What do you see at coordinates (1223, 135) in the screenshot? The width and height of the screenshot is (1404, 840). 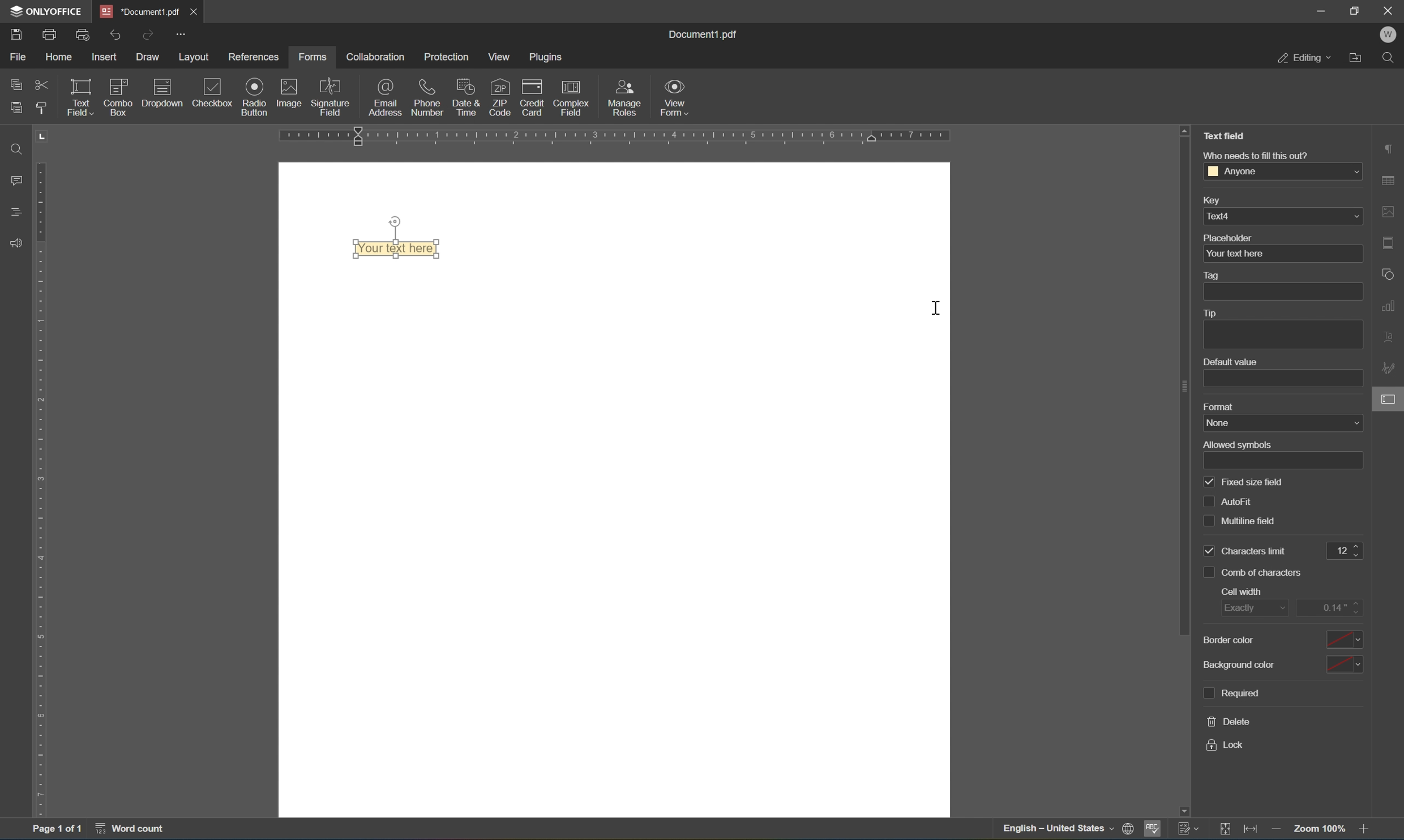 I see `text field` at bounding box center [1223, 135].